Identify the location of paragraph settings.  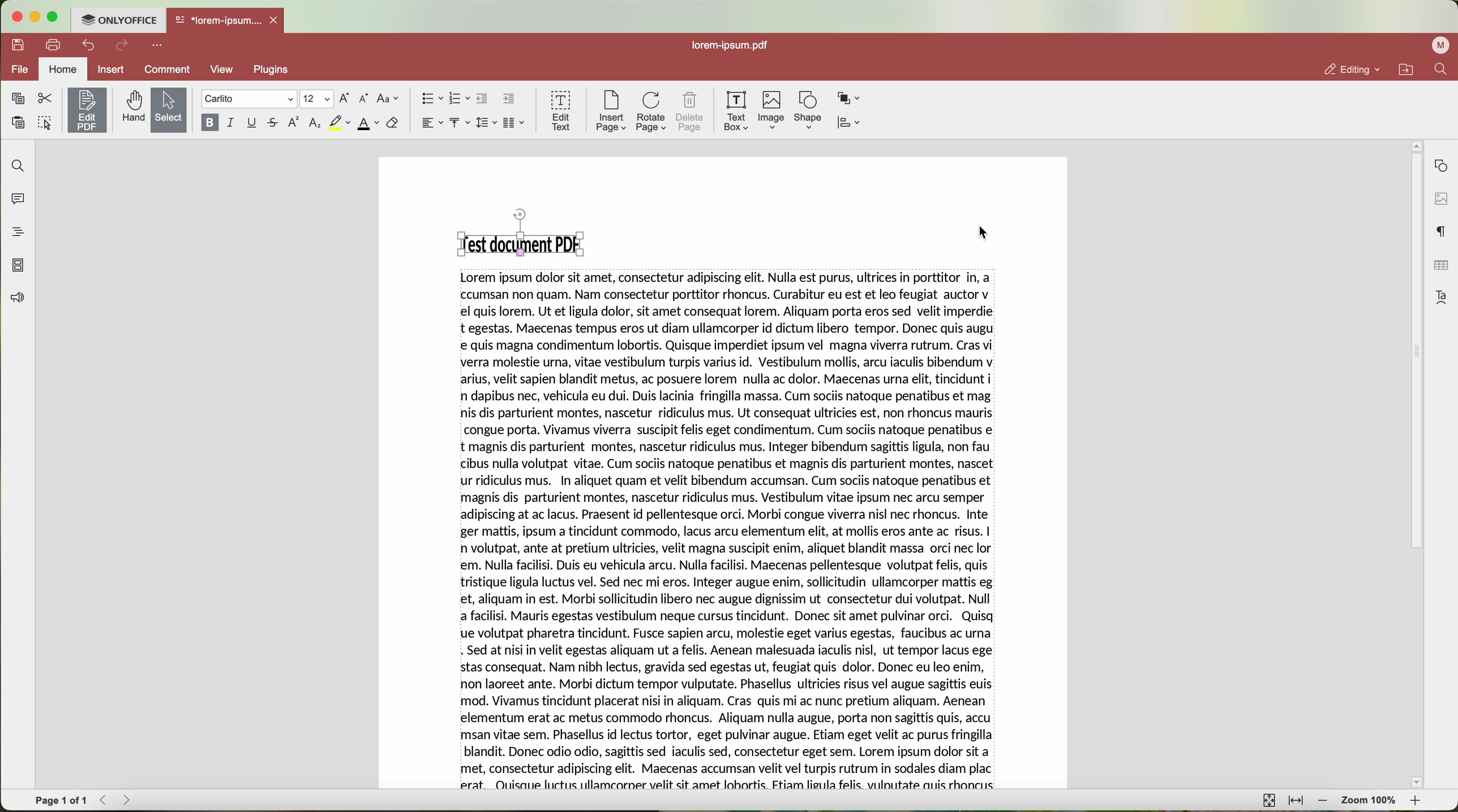
(1442, 231).